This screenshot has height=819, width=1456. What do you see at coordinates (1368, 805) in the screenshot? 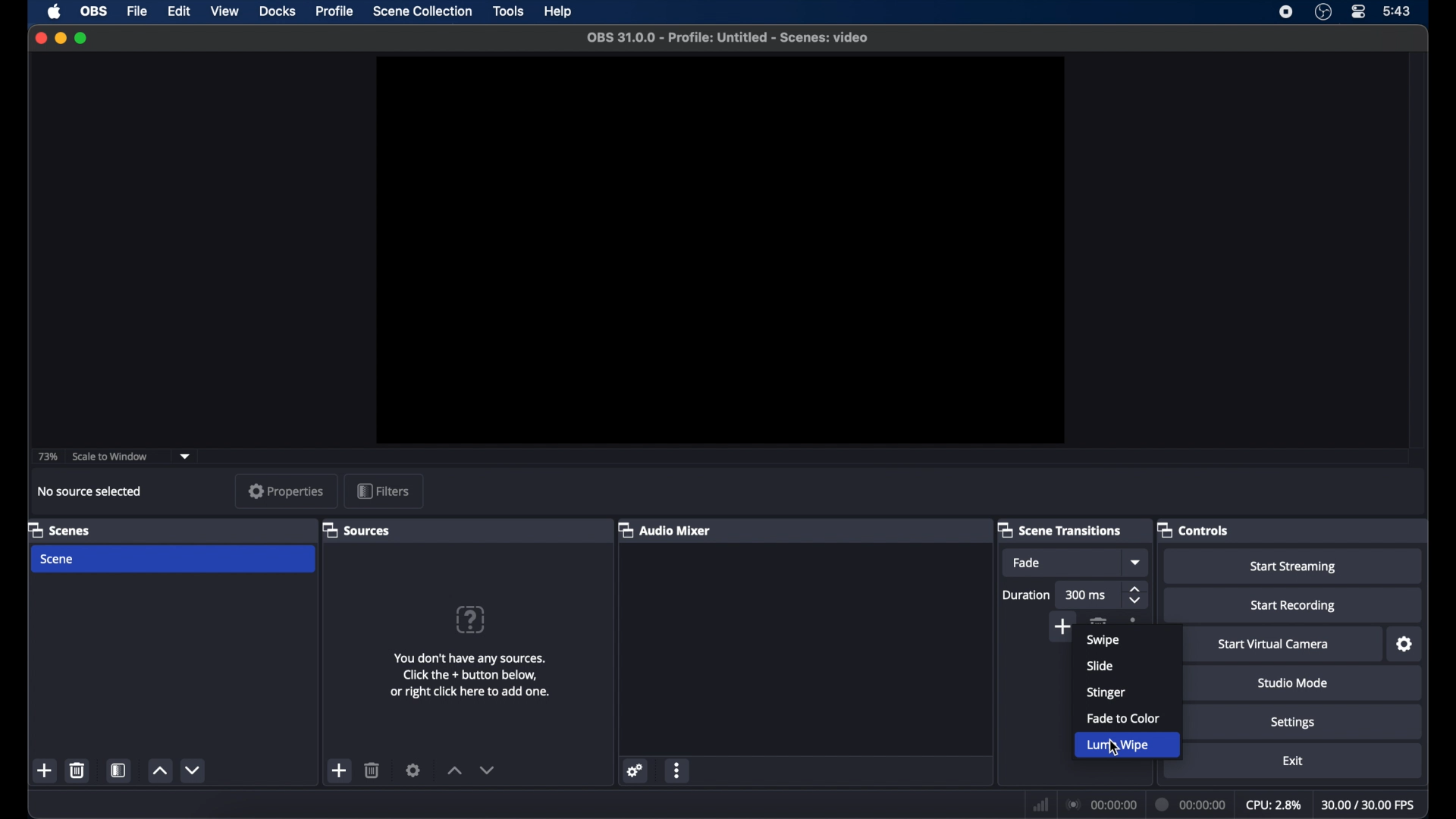
I see `fps` at bounding box center [1368, 805].